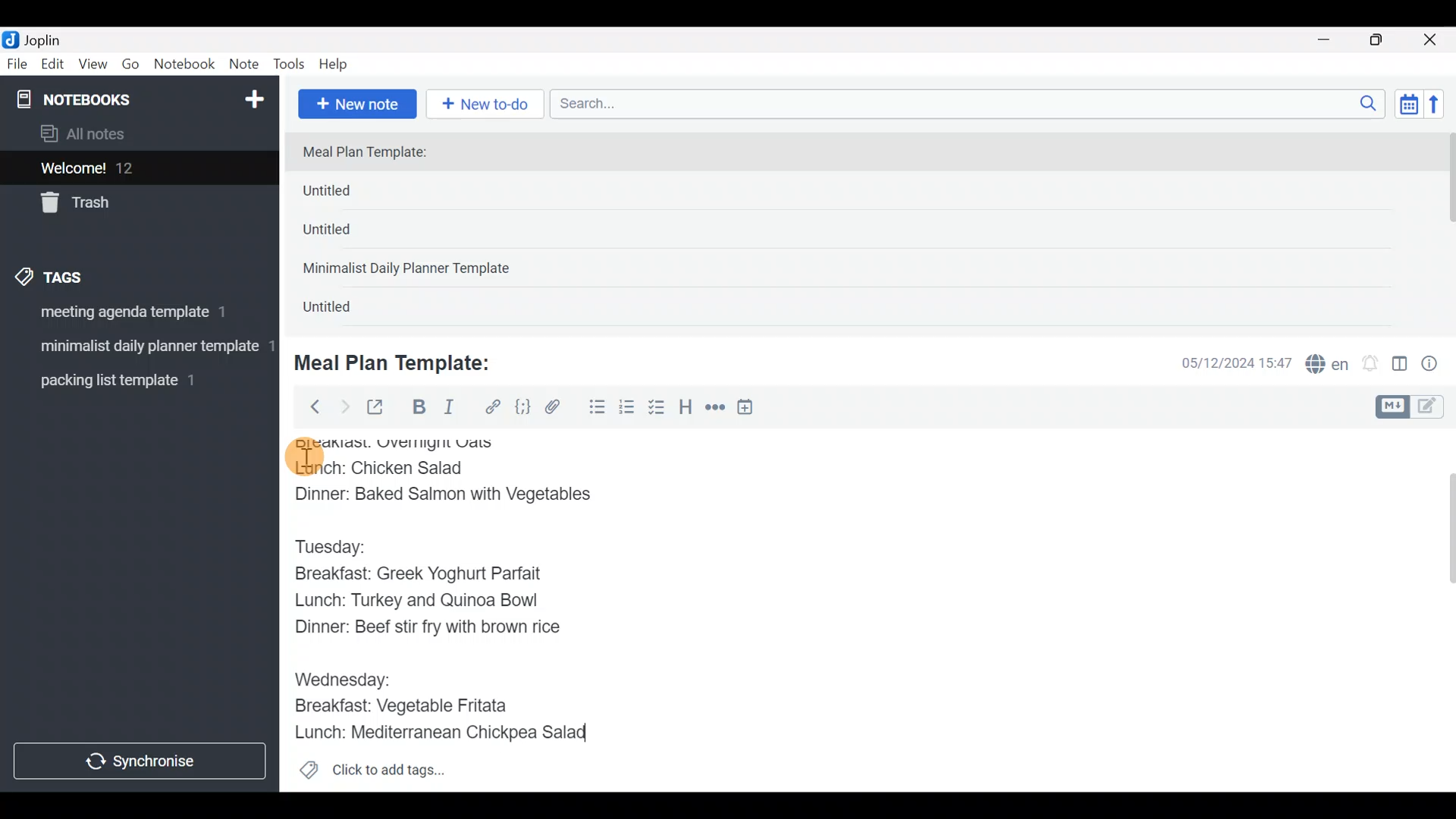 This screenshot has height=819, width=1456. What do you see at coordinates (356, 102) in the screenshot?
I see `New note` at bounding box center [356, 102].